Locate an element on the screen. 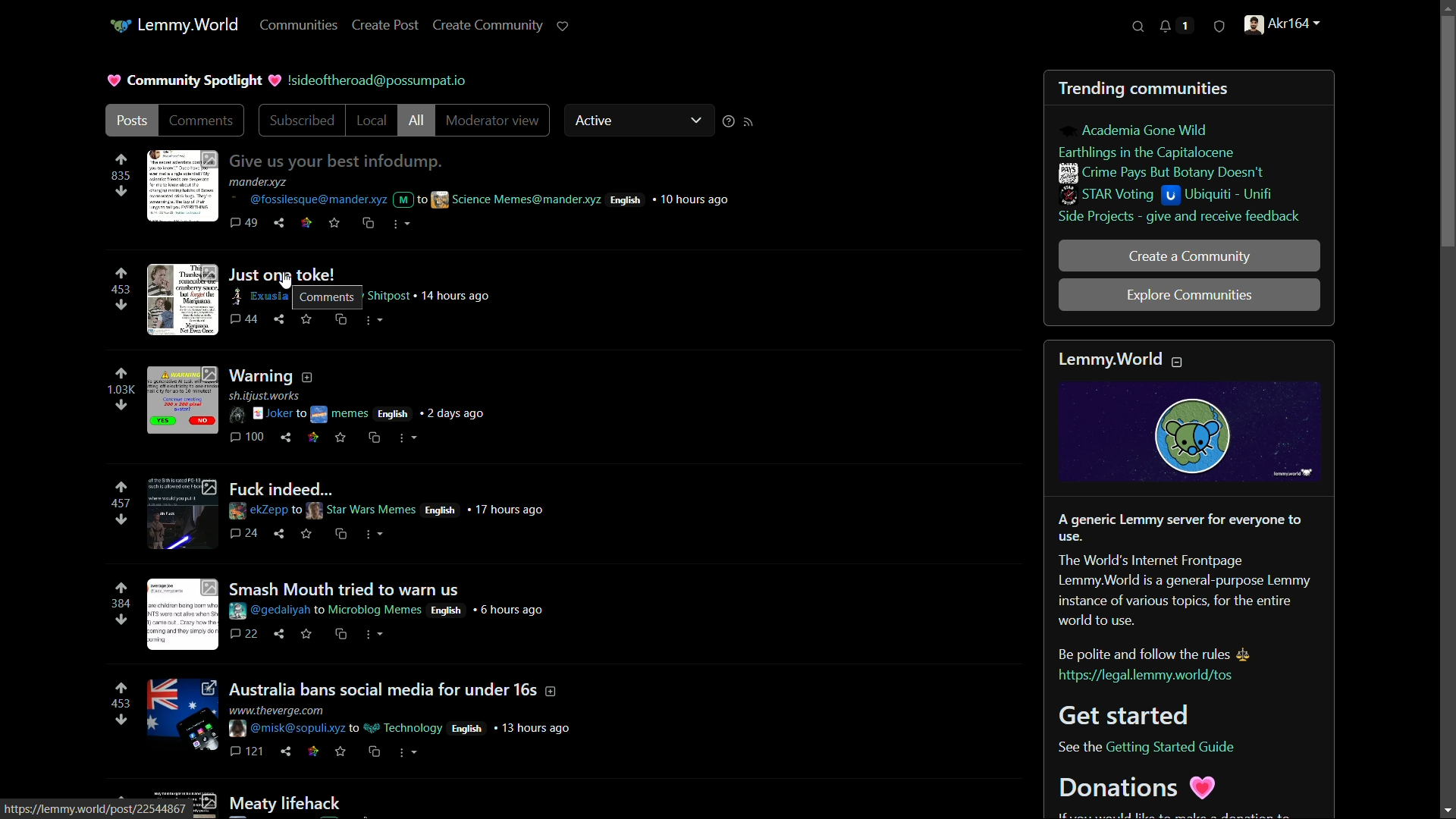 Image resolution: width=1456 pixels, height=819 pixels. thumbnail is located at coordinates (184, 717).